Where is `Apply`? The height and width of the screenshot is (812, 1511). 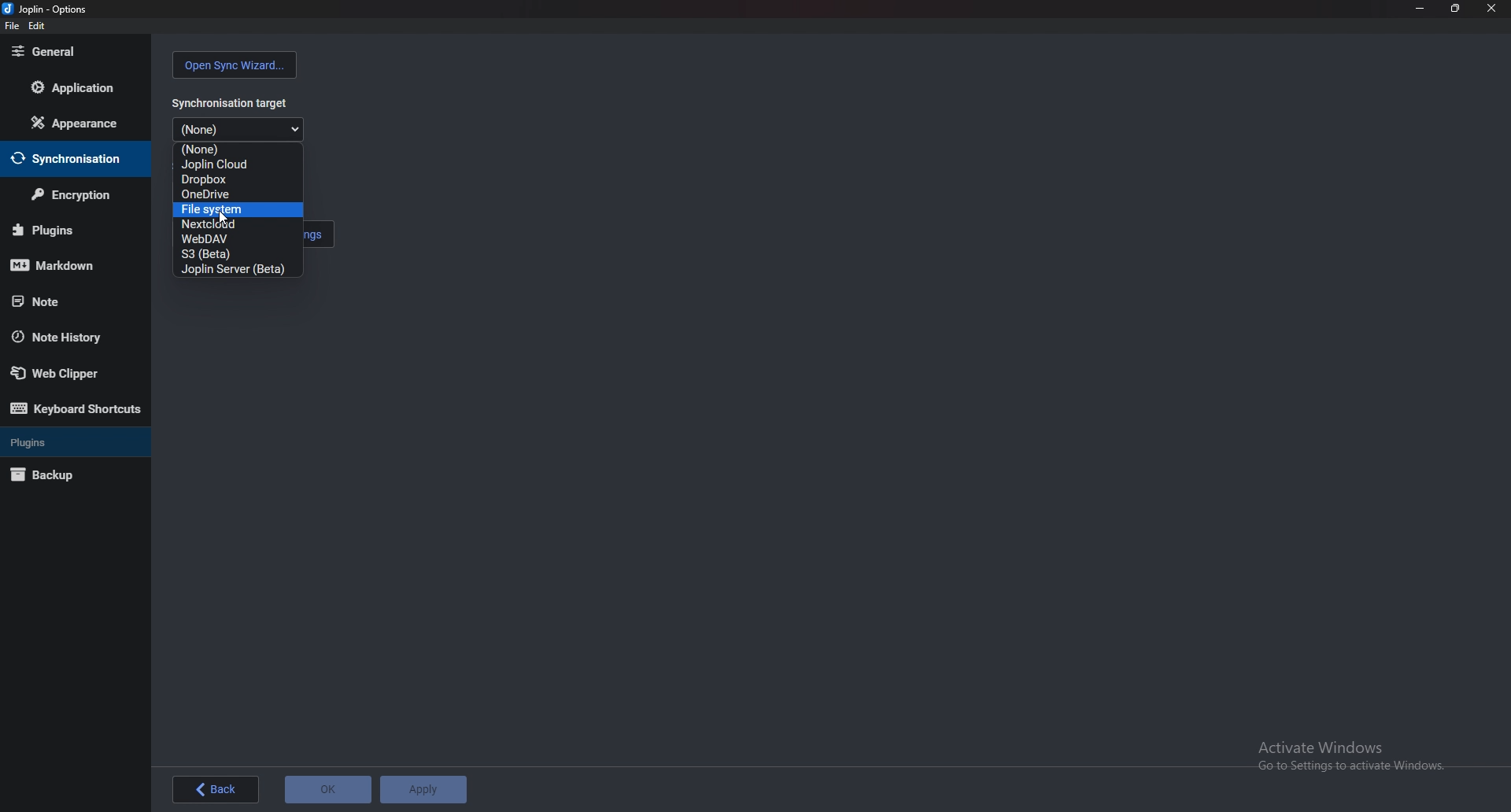 Apply is located at coordinates (424, 788).